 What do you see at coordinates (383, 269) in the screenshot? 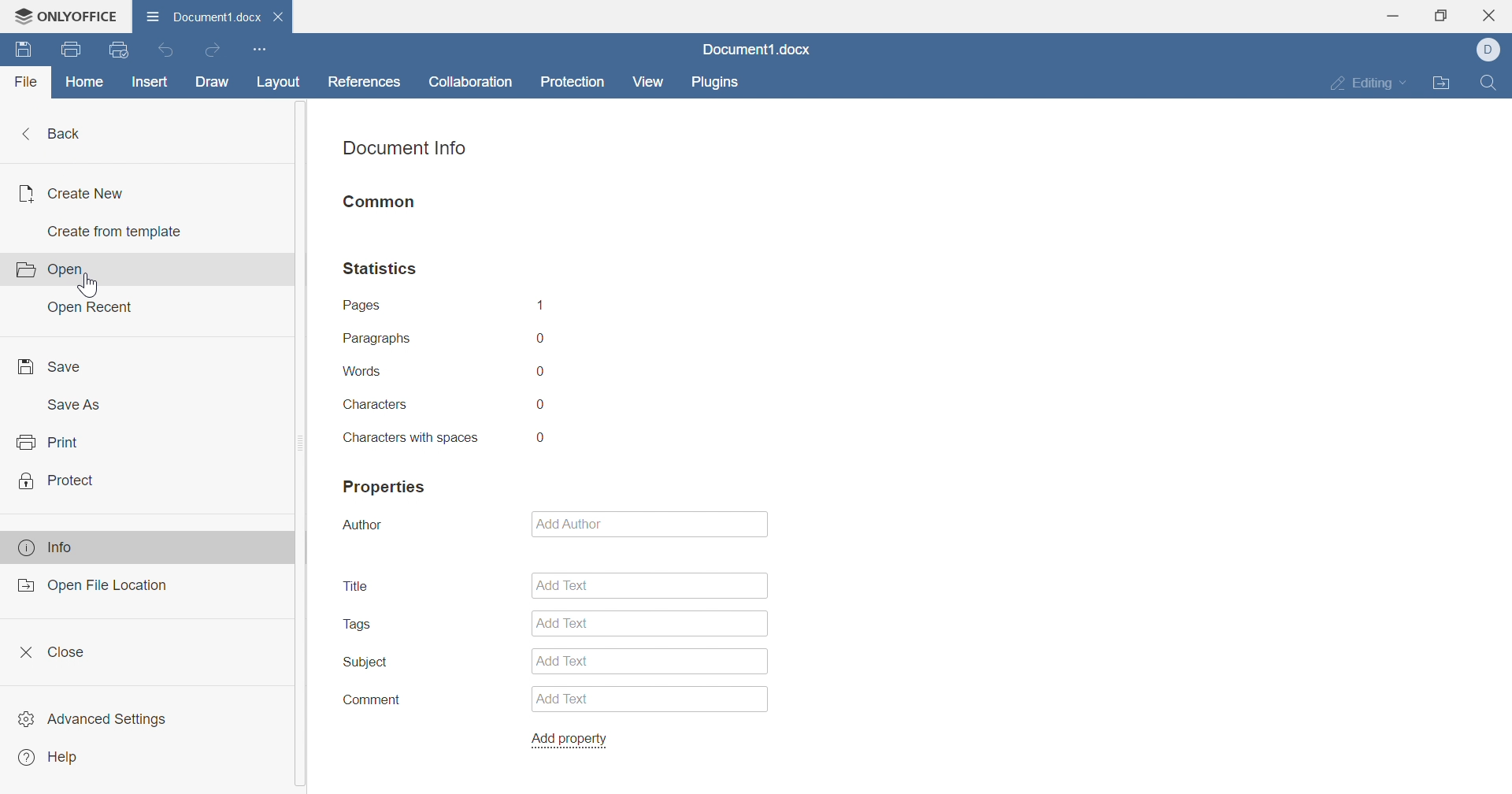
I see `statistics` at bounding box center [383, 269].